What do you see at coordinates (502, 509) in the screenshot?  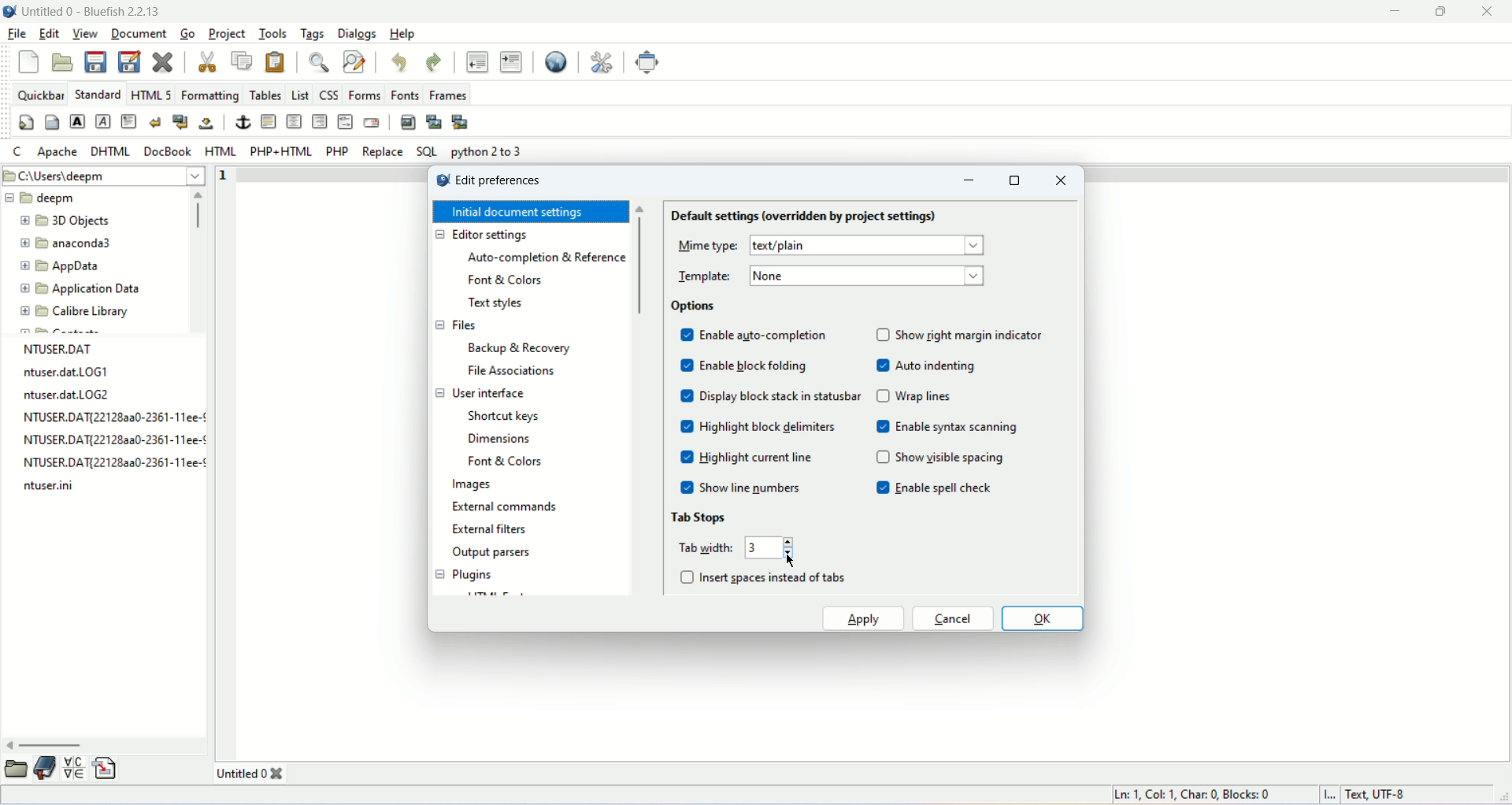 I see `external commands` at bounding box center [502, 509].